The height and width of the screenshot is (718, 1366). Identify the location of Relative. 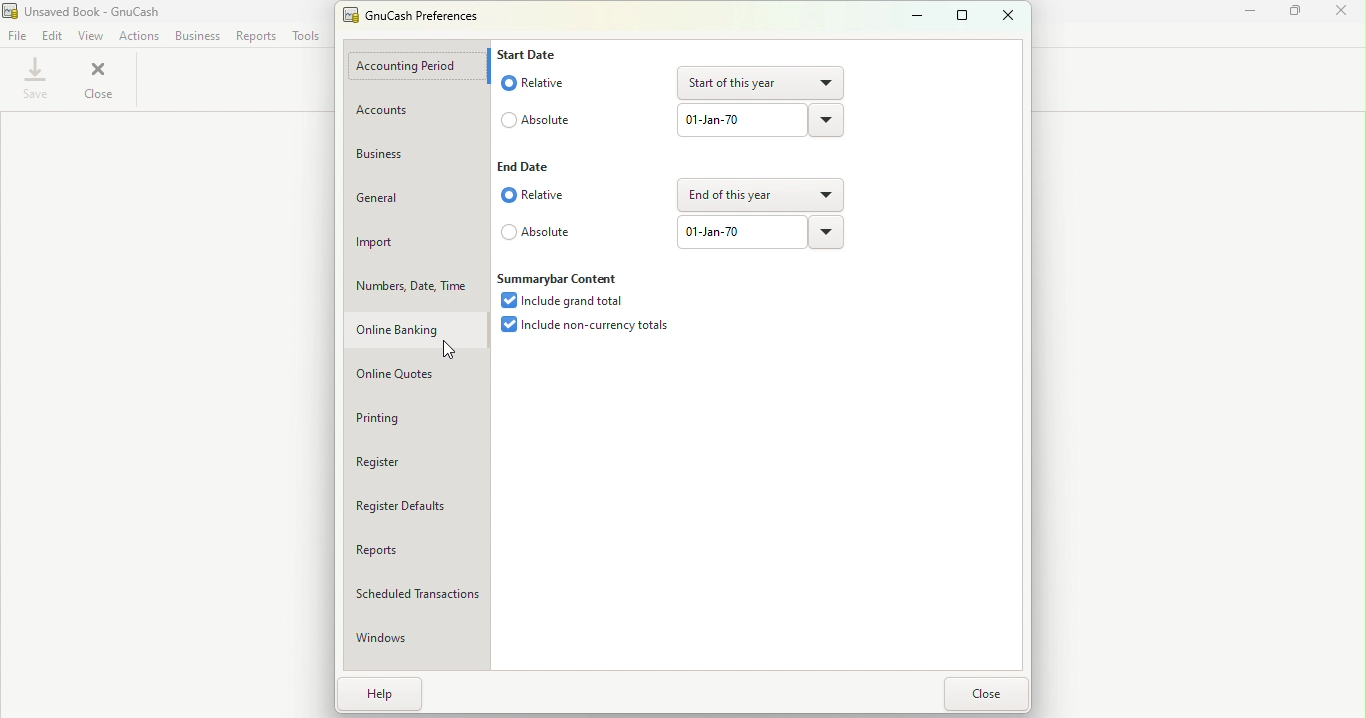
(548, 200).